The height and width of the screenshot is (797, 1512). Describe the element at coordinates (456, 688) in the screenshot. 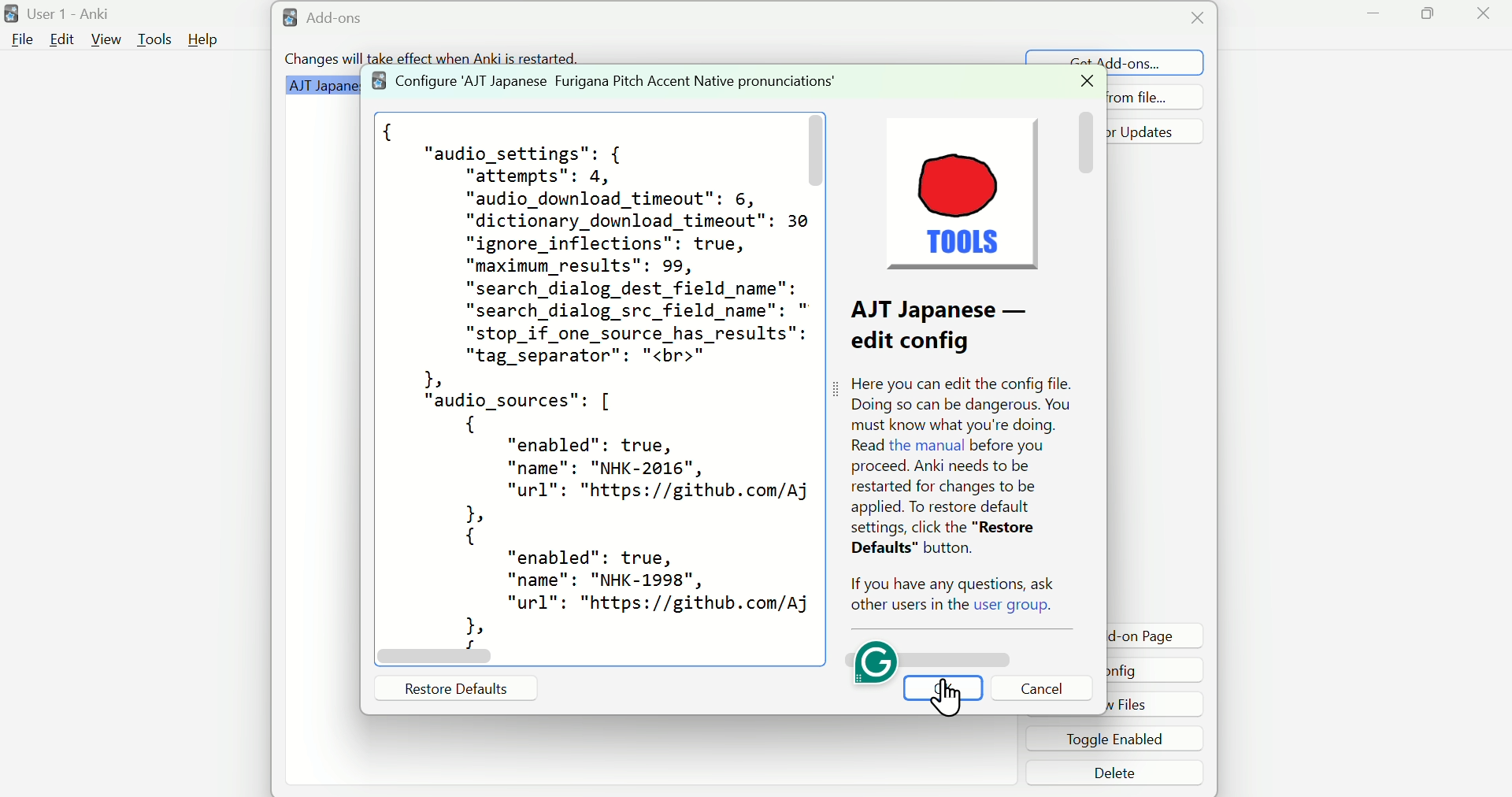

I see `Restore Defaults` at that location.